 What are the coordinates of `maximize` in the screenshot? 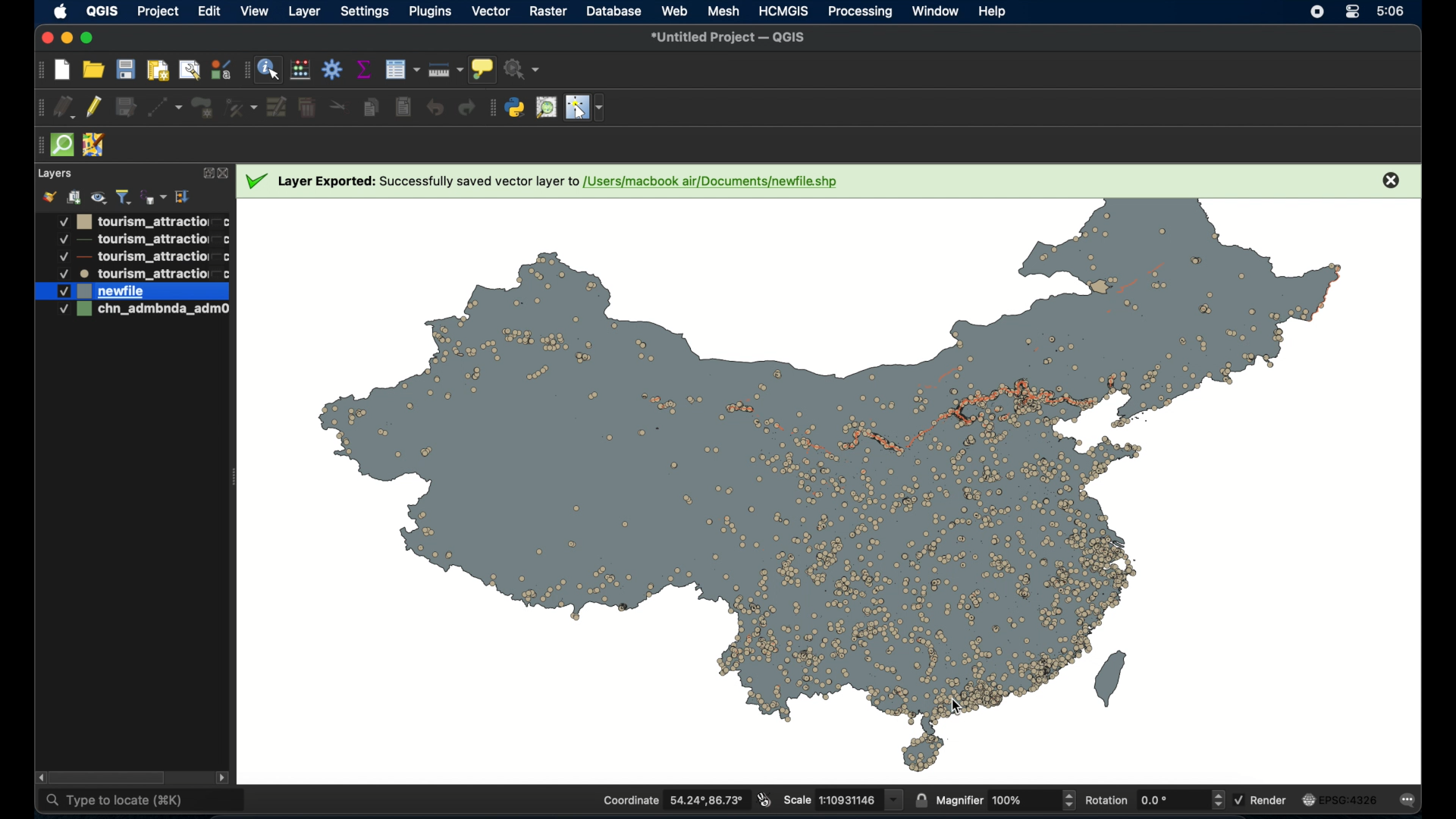 It's located at (90, 37).